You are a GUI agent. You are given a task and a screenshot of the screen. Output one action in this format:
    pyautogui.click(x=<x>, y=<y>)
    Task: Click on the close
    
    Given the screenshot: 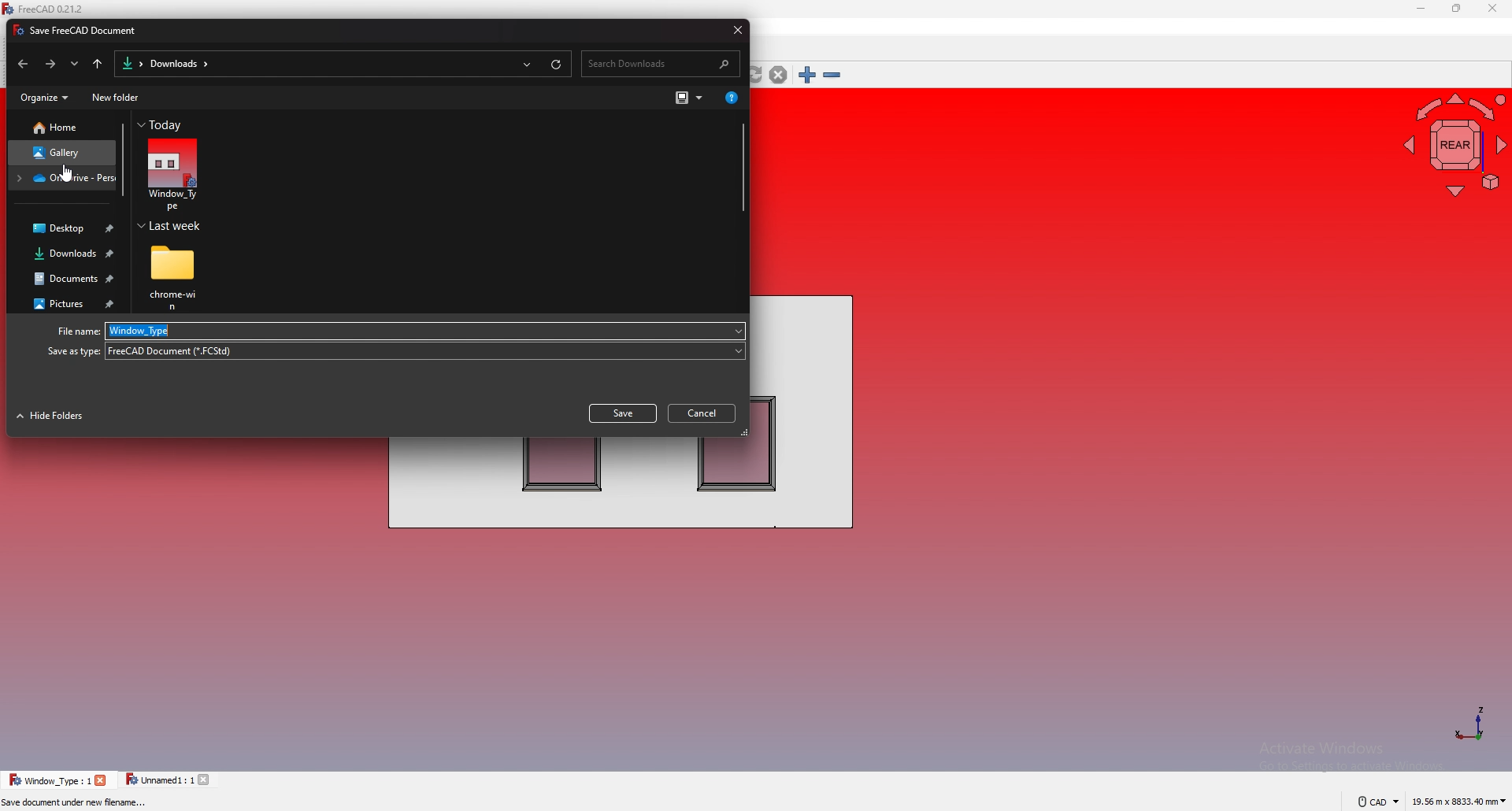 What is the action you would take?
    pyautogui.click(x=102, y=780)
    